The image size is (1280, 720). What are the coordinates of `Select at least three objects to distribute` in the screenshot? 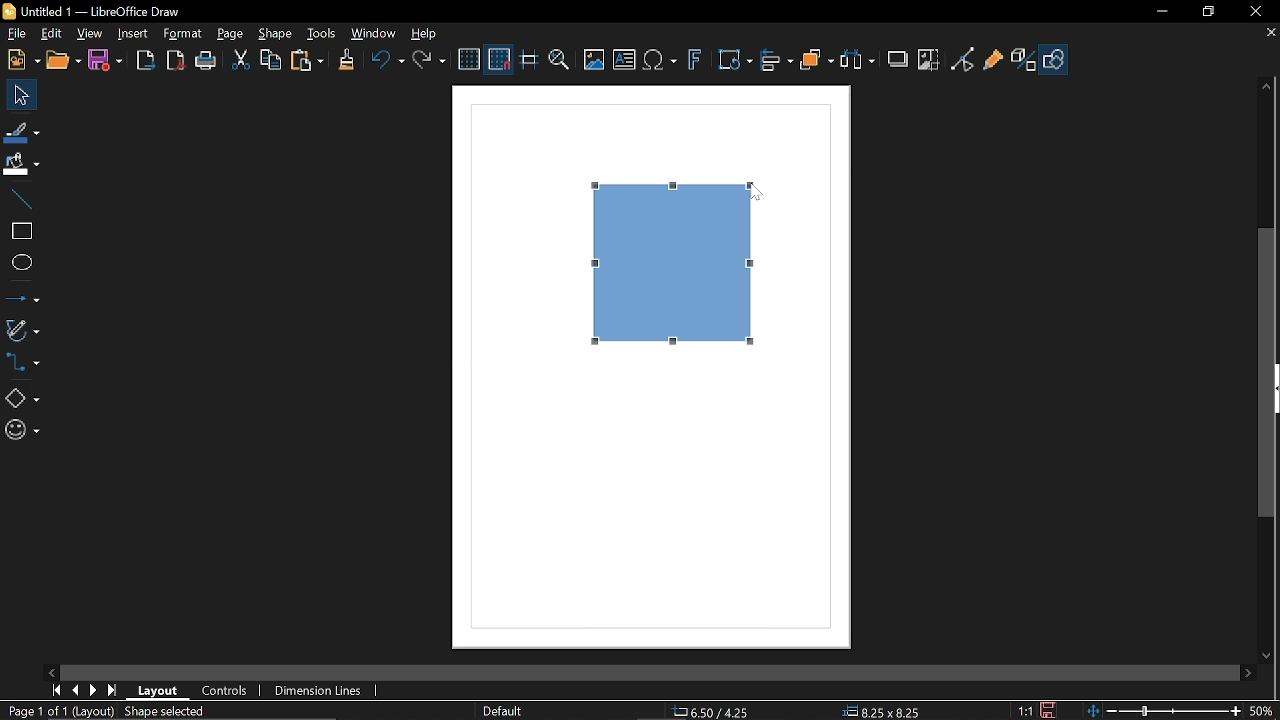 It's located at (861, 61).